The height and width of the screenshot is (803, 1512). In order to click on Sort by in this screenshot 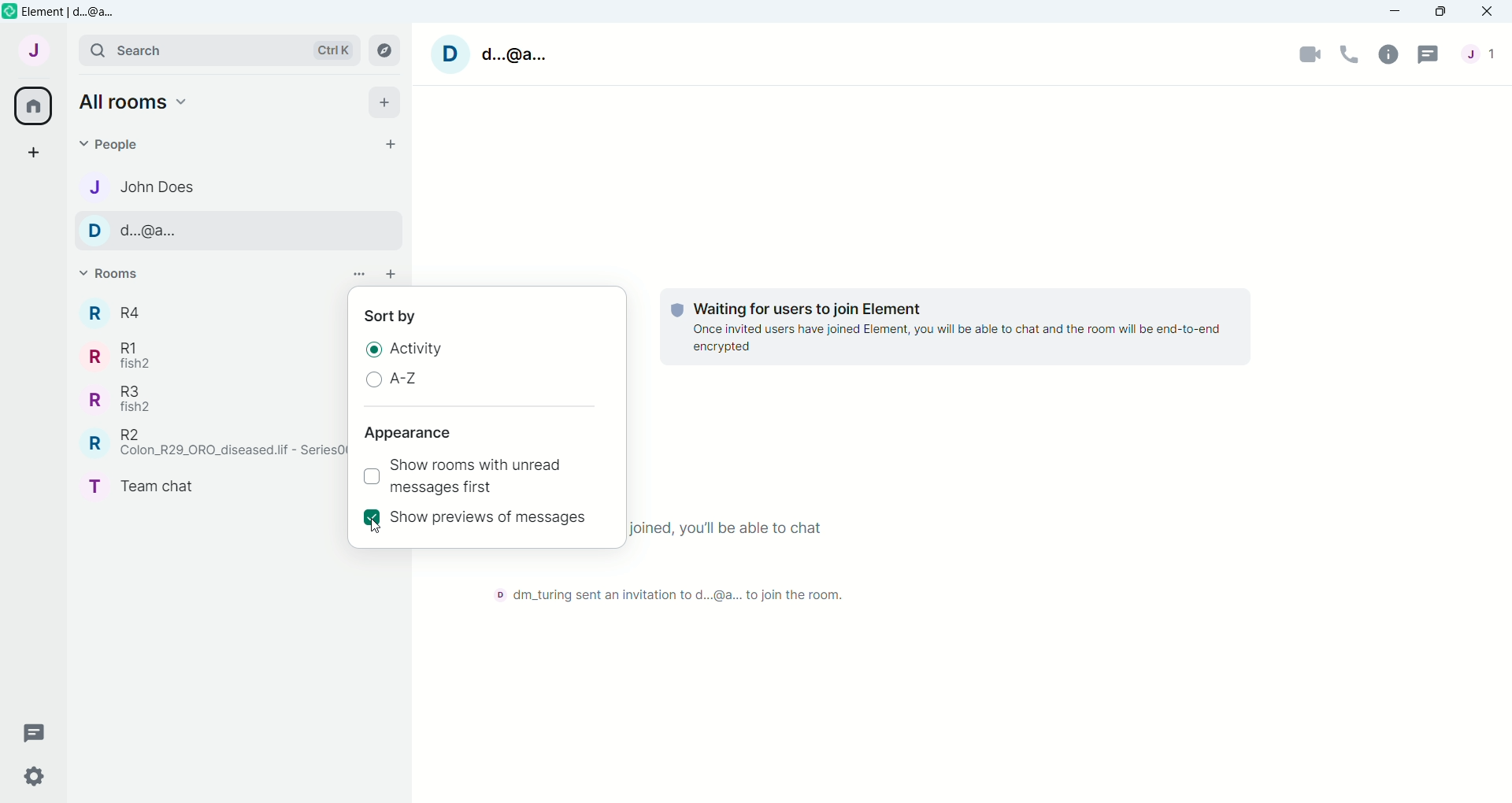, I will do `click(391, 316)`.